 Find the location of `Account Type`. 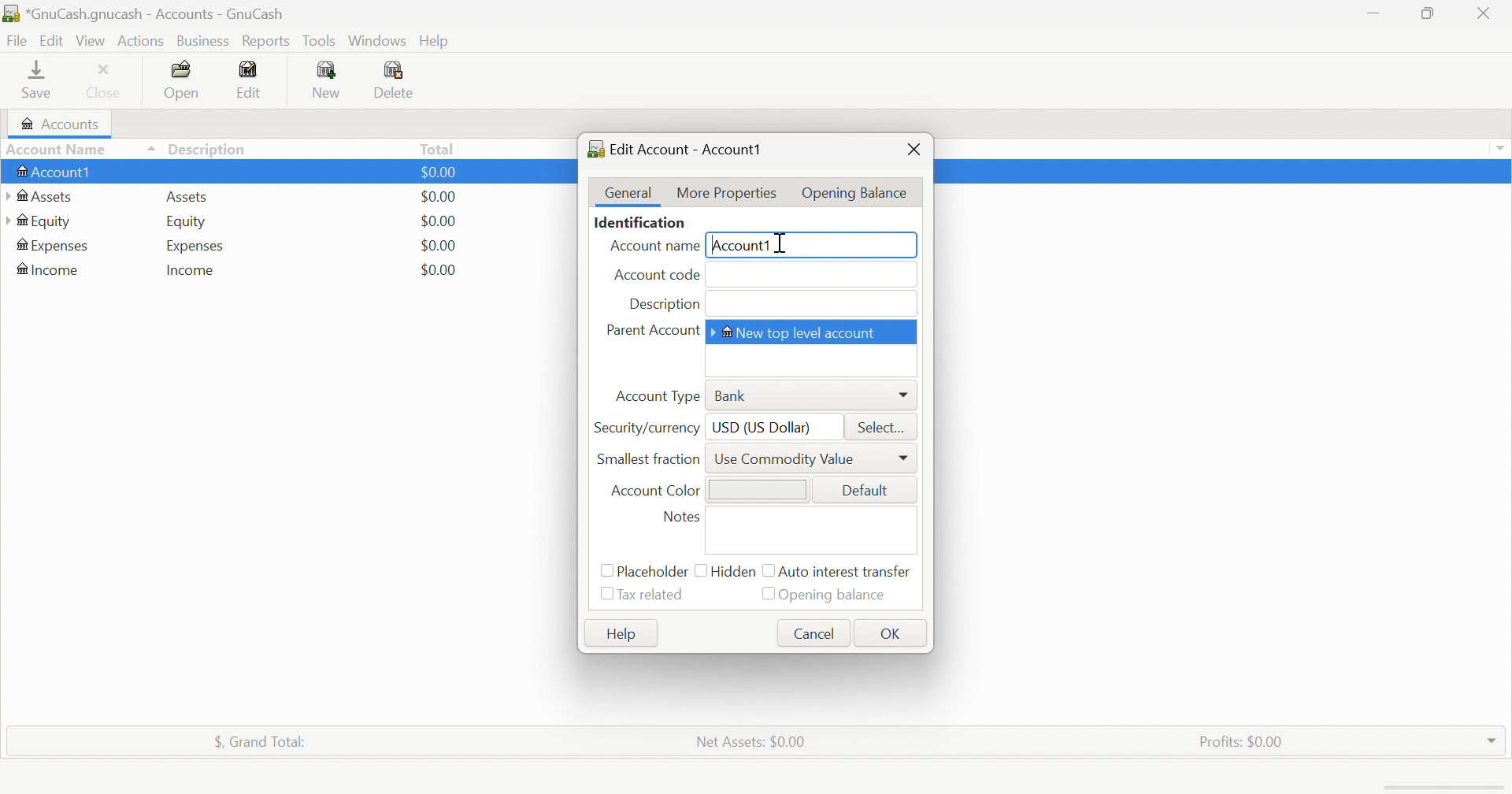

Account Type is located at coordinates (658, 395).